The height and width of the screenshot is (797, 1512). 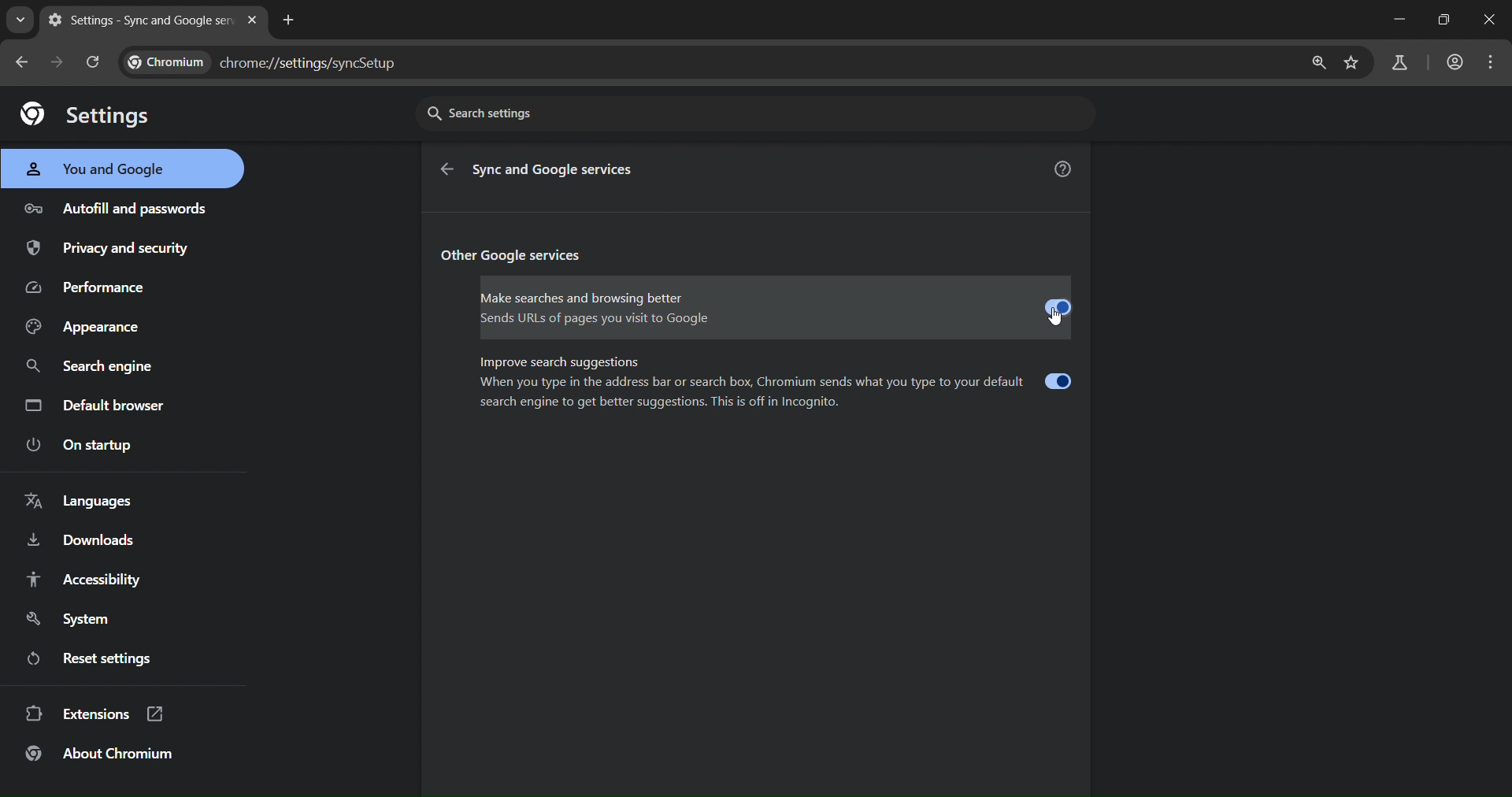 I want to click on performance, so click(x=94, y=287).